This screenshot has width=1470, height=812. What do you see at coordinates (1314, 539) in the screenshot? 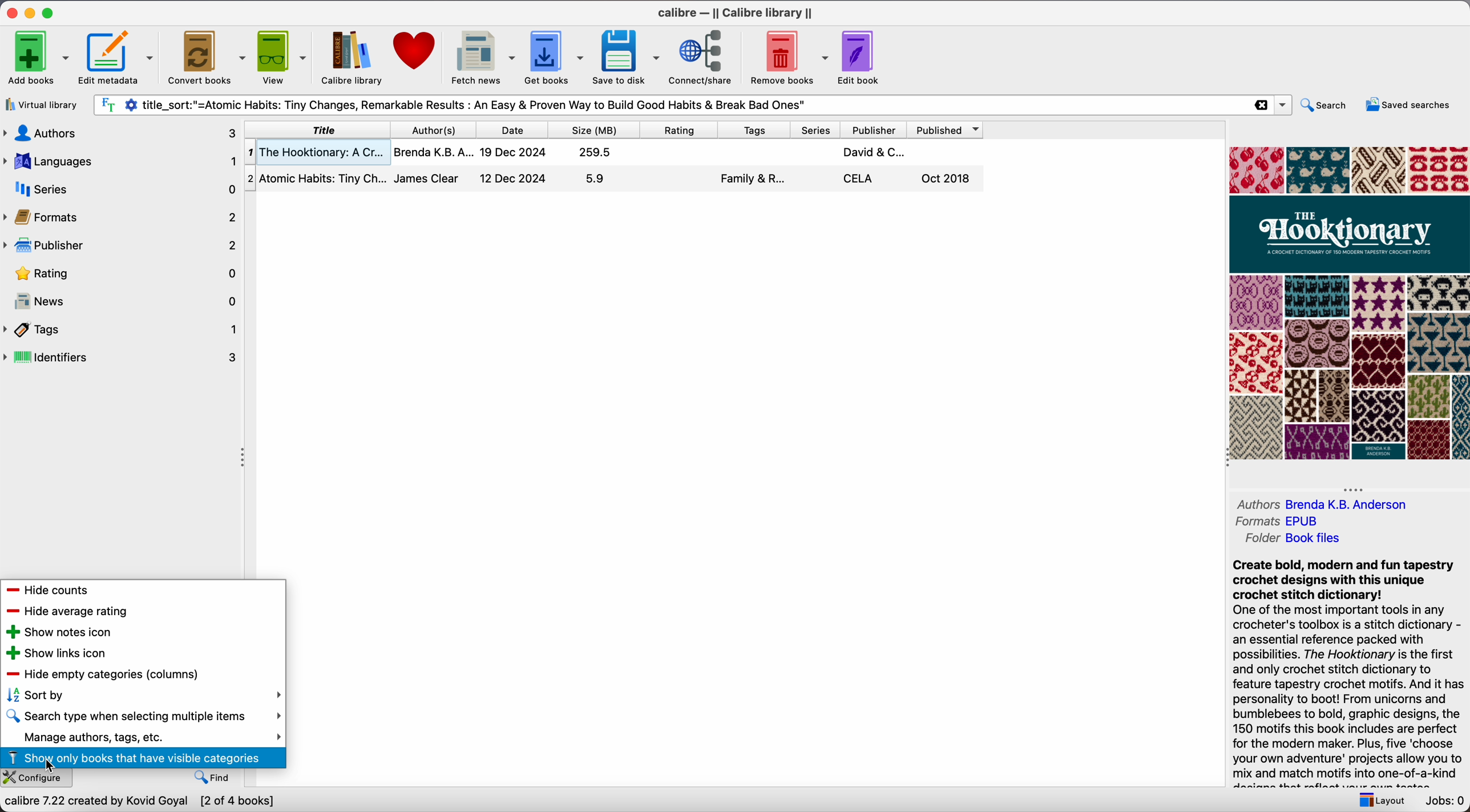
I see `Book files` at bounding box center [1314, 539].